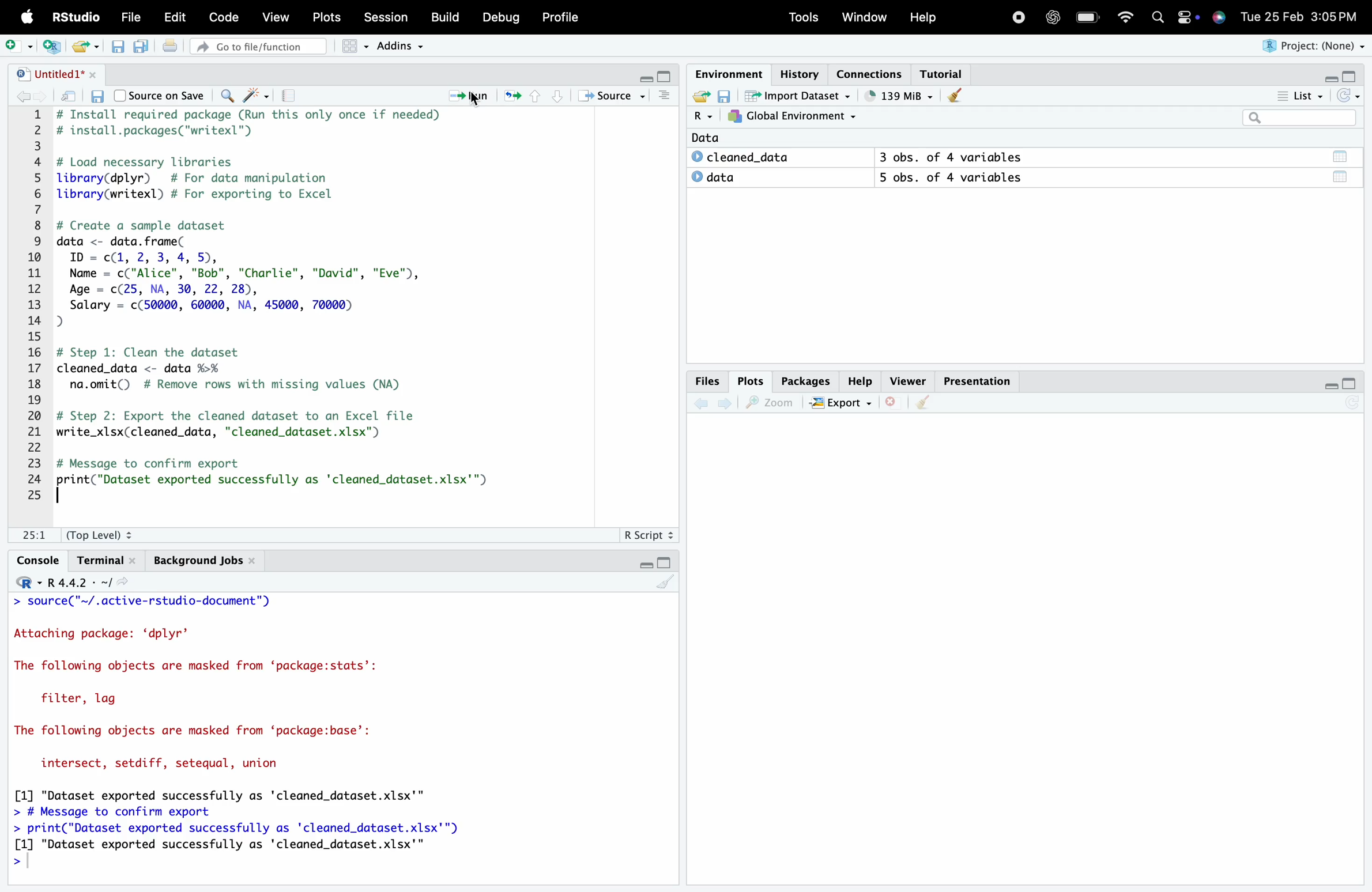 The height and width of the screenshot is (892, 1372). Describe the element at coordinates (1343, 153) in the screenshot. I see `Data/Table` at that location.